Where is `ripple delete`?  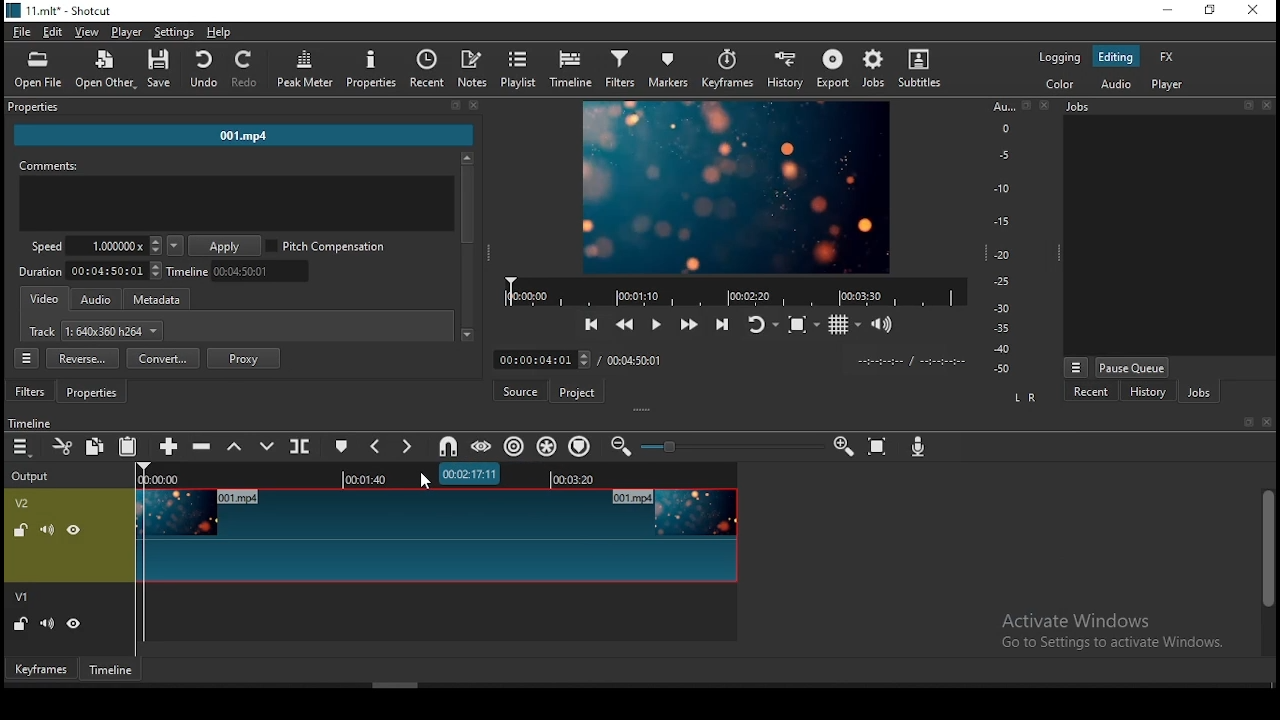
ripple delete is located at coordinates (205, 445).